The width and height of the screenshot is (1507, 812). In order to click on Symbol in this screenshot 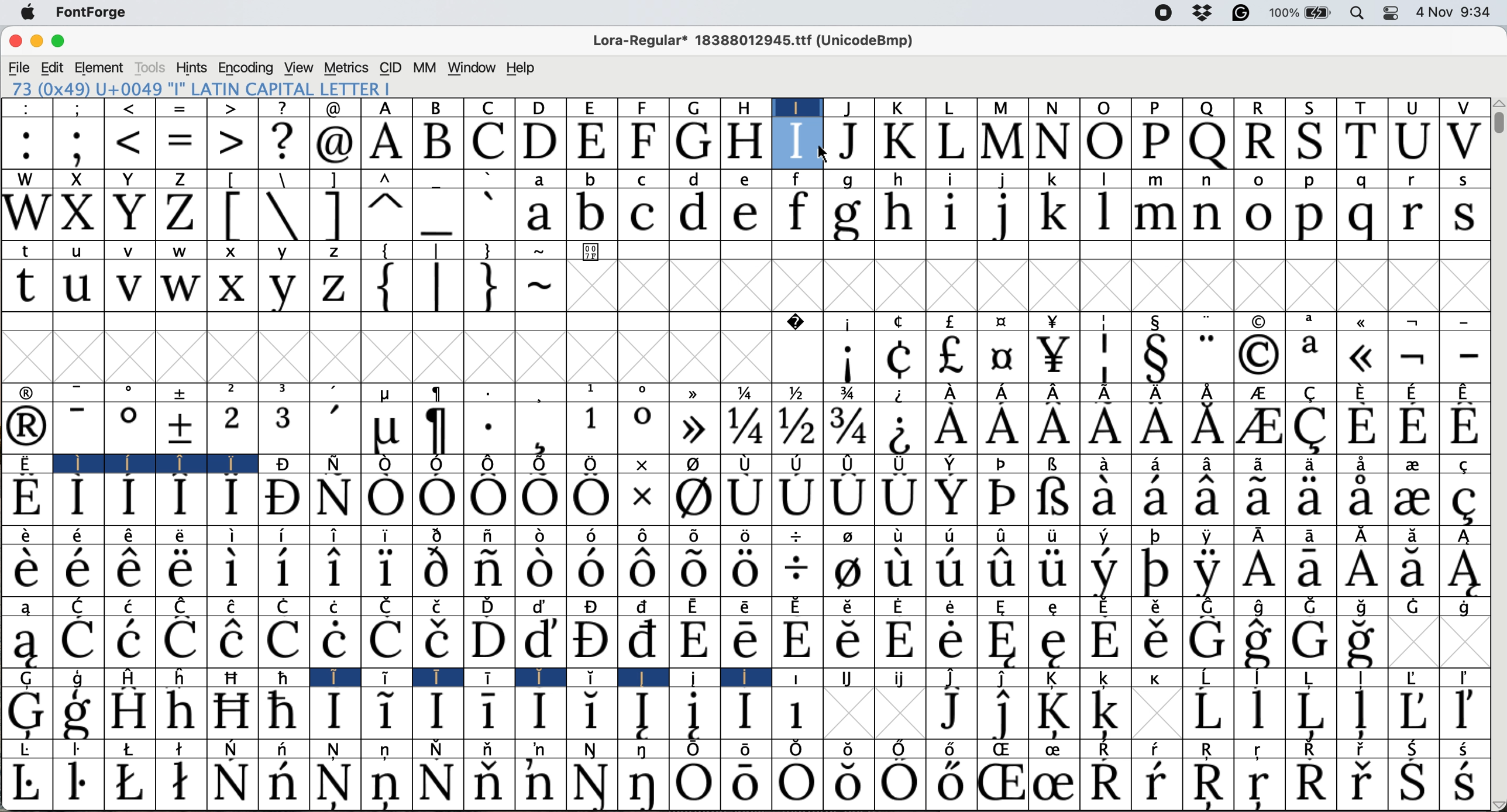, I will do `click(436, 570)`.